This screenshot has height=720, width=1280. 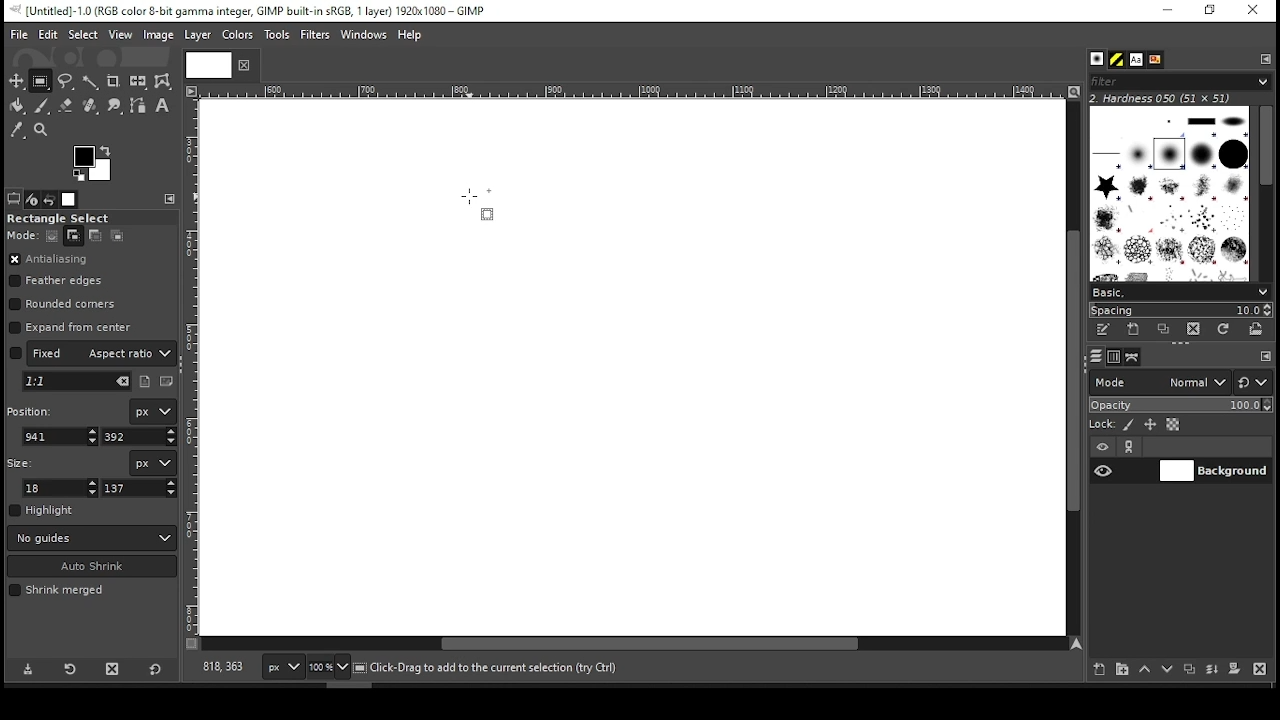 I want to click on help, so click(x=410, y=36).